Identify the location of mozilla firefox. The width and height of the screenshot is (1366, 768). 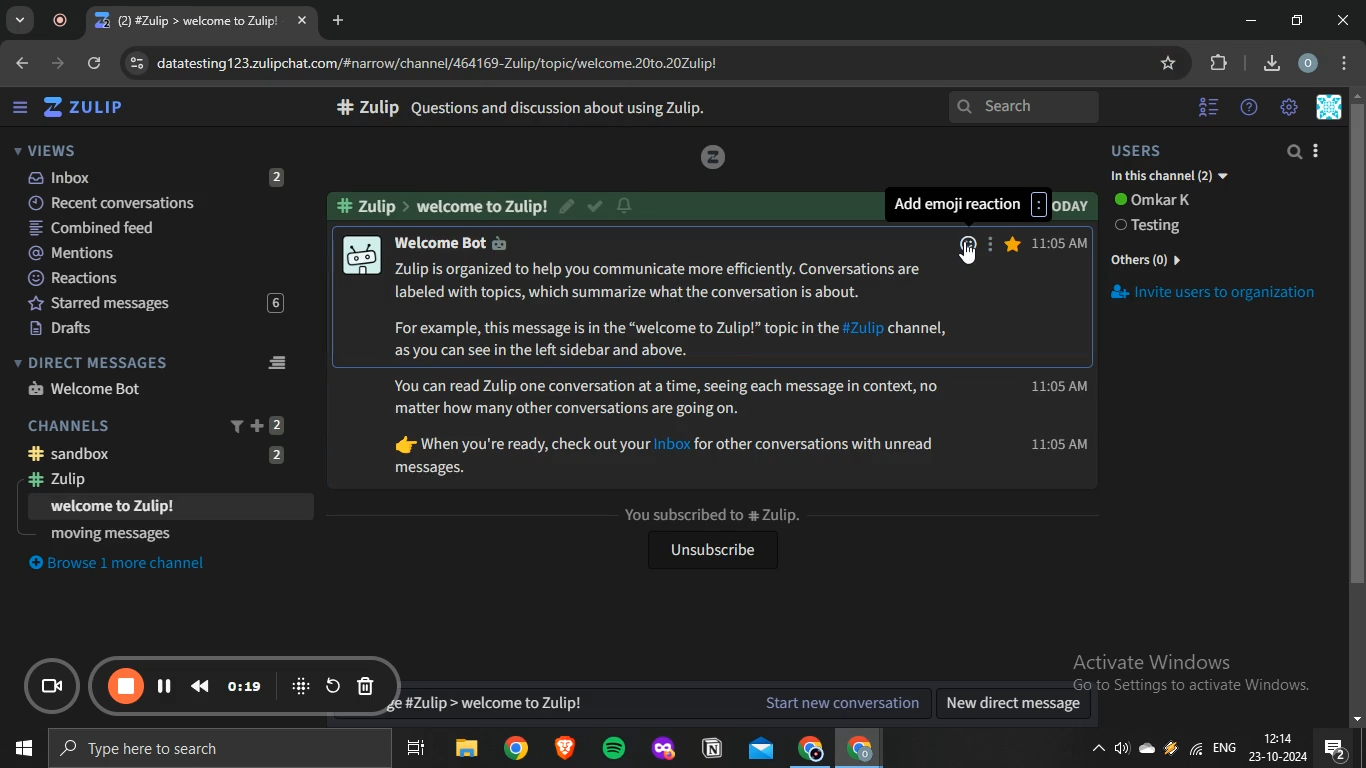
(662, 749).